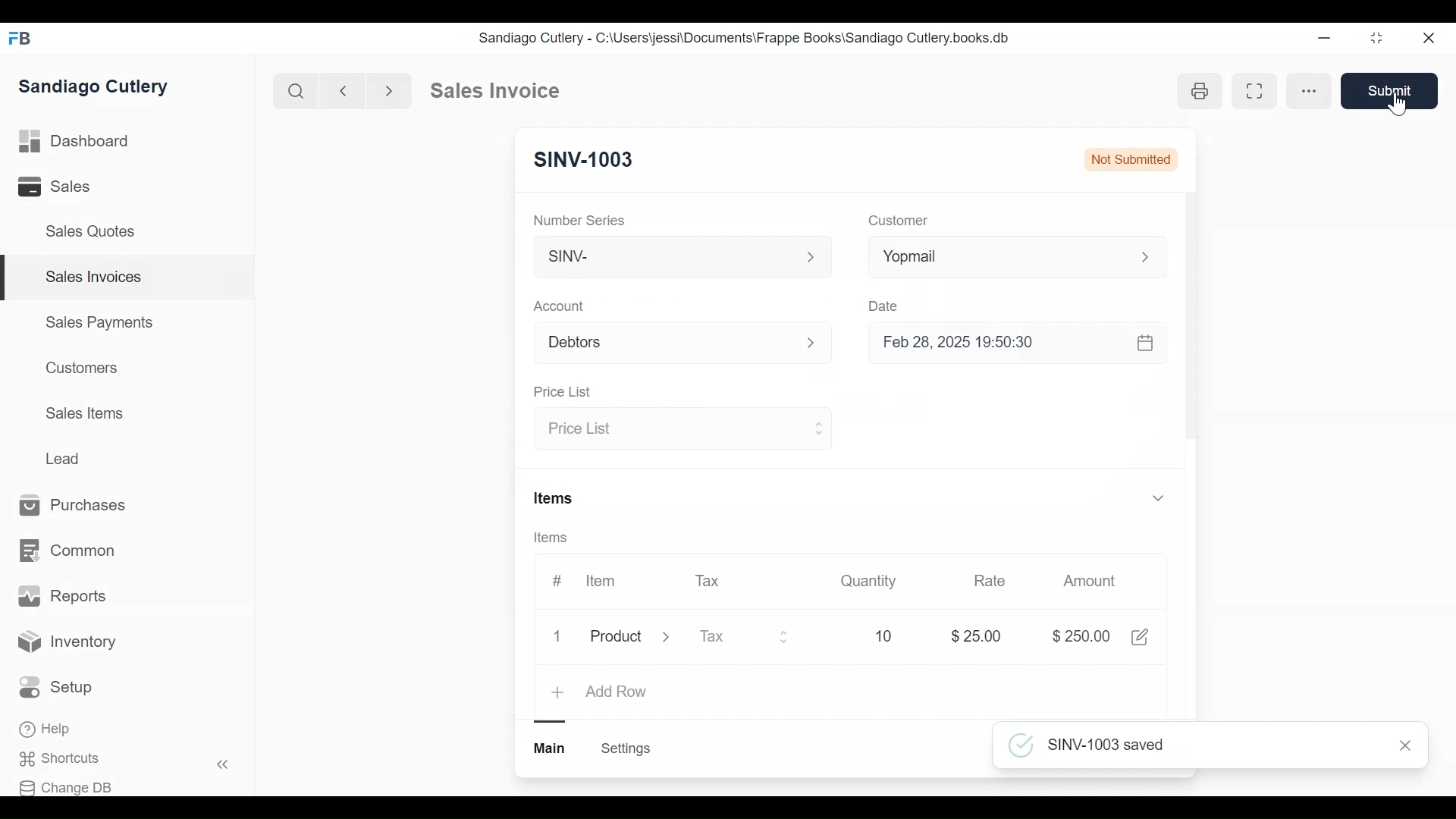 This screenshot has width=1456, height=819. What do you see at coordinates (681, 260) in the screenshot?
I see `SINV-` at bounding box center [681, 260].